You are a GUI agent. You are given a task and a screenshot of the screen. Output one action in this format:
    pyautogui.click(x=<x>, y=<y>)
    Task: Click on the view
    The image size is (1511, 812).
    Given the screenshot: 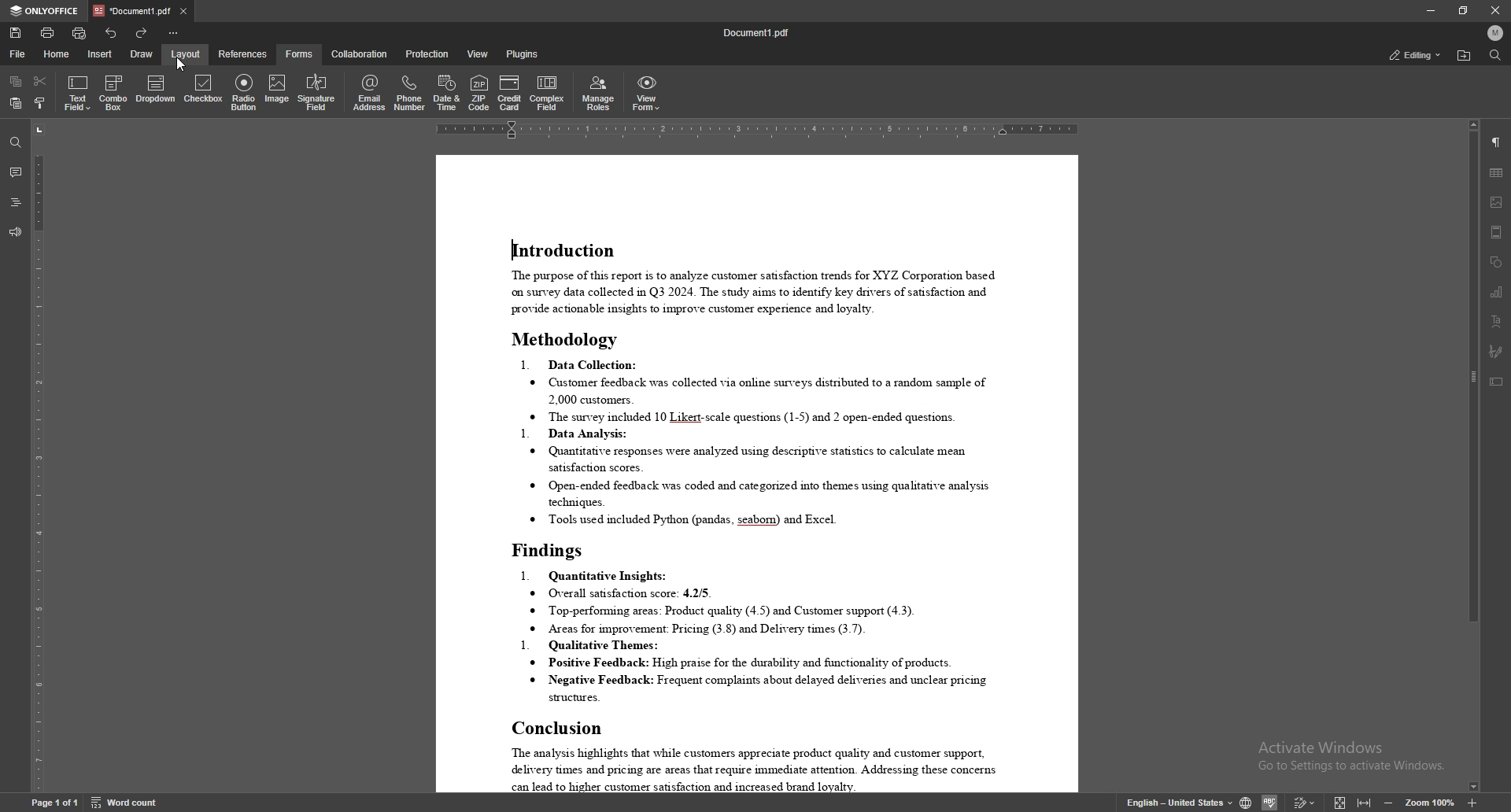 What is the action you would take?
    pyautogui.click(x=478, y=54)
    